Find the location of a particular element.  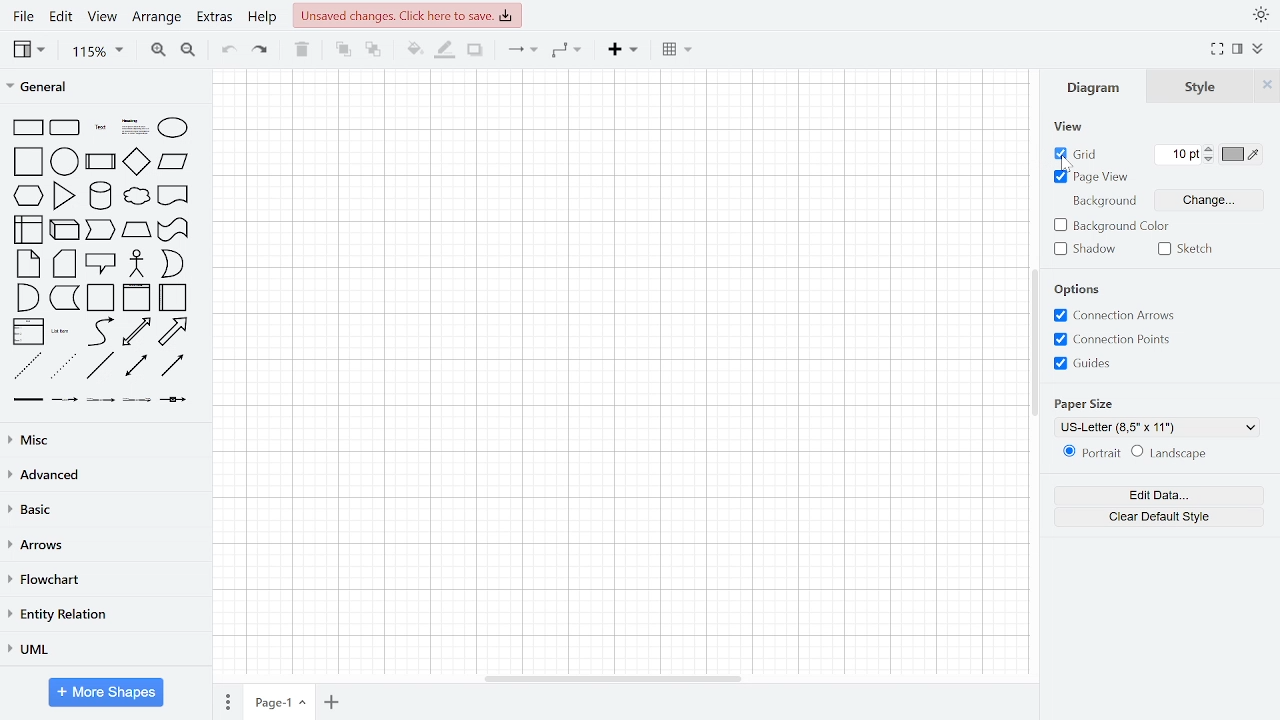

diamond is located at coordinates (135, 162).